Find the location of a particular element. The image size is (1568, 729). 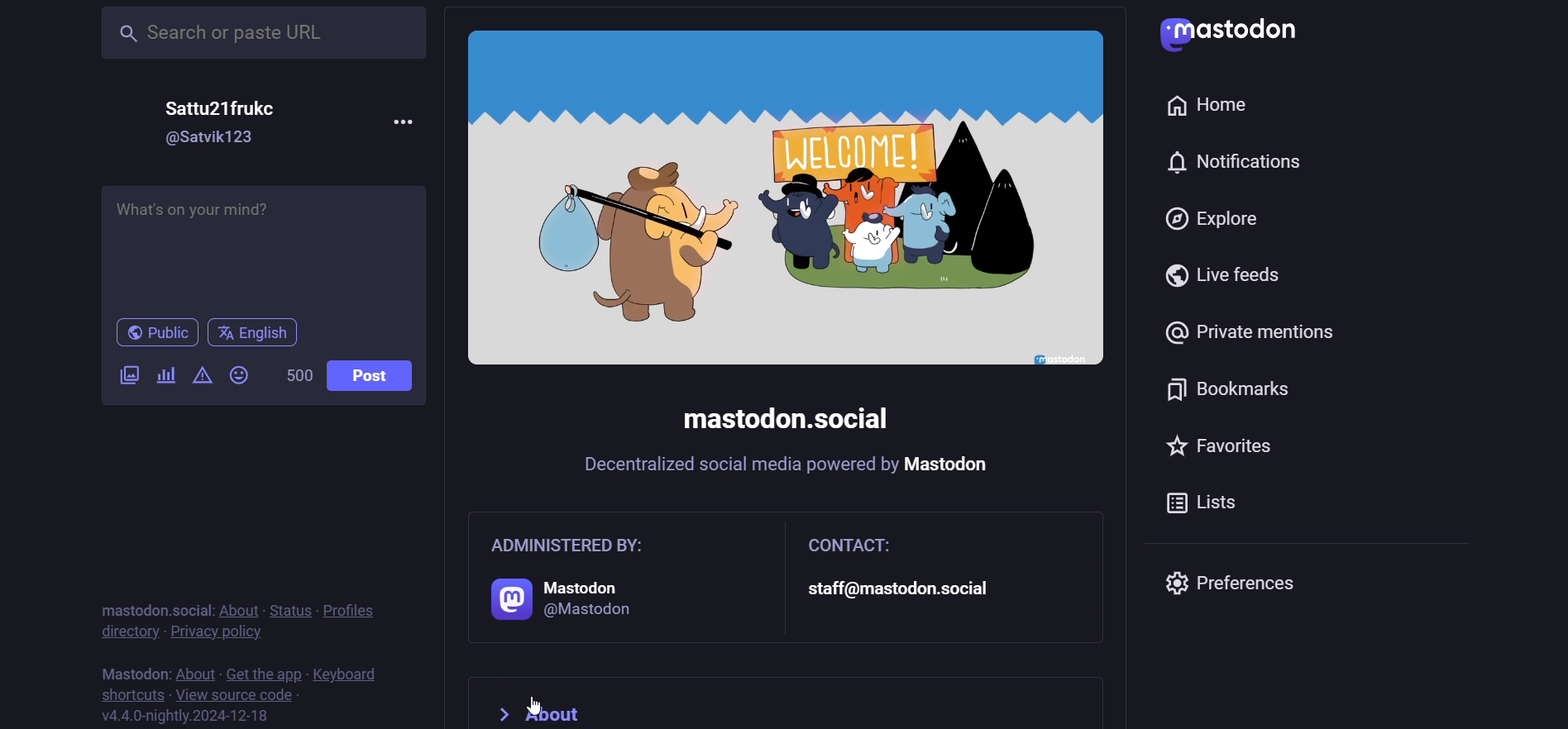

profiles is located at coordinates (353, 608).